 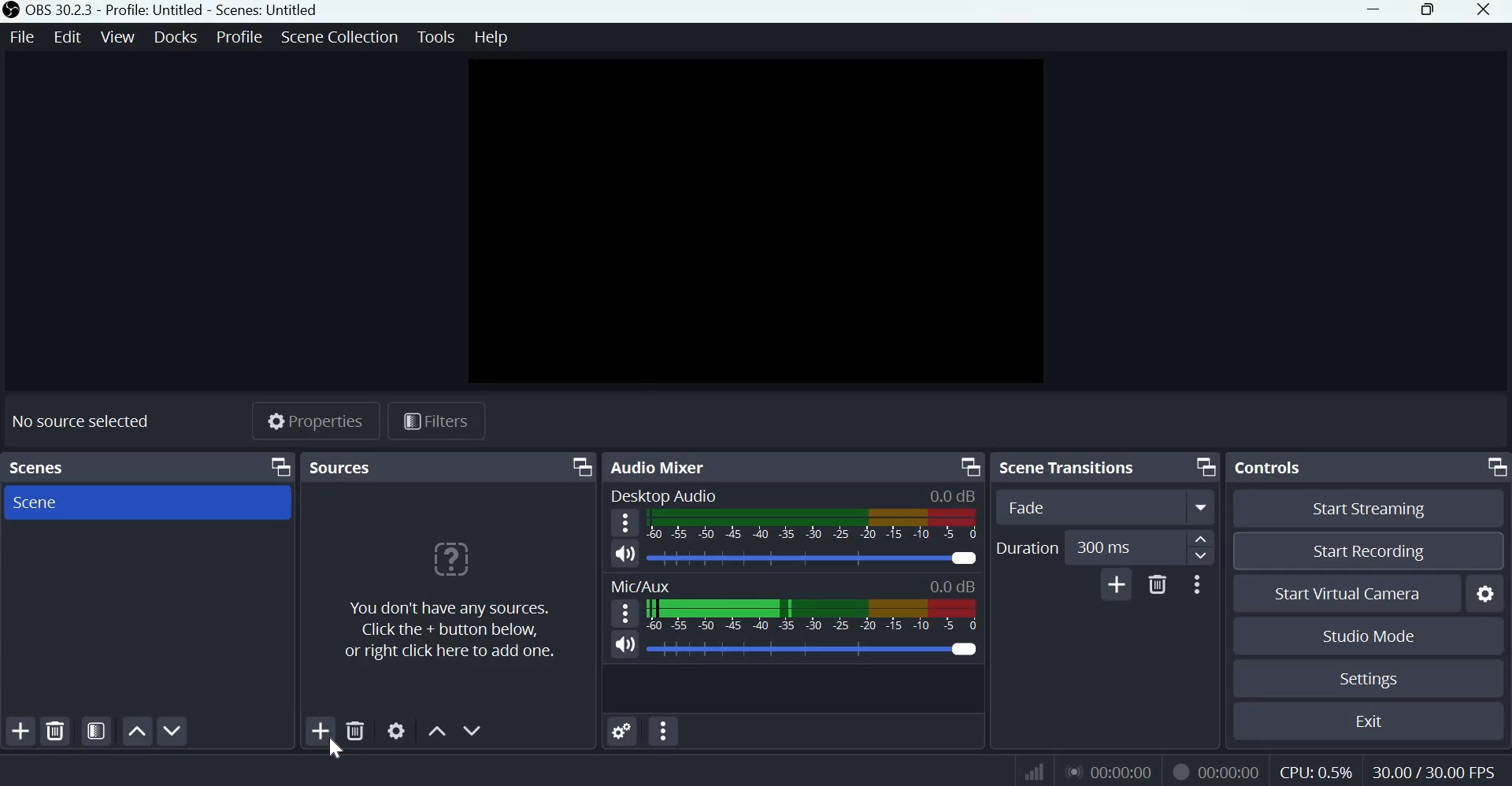 I want to click on Start streaming, so click(x=1370, y=510).